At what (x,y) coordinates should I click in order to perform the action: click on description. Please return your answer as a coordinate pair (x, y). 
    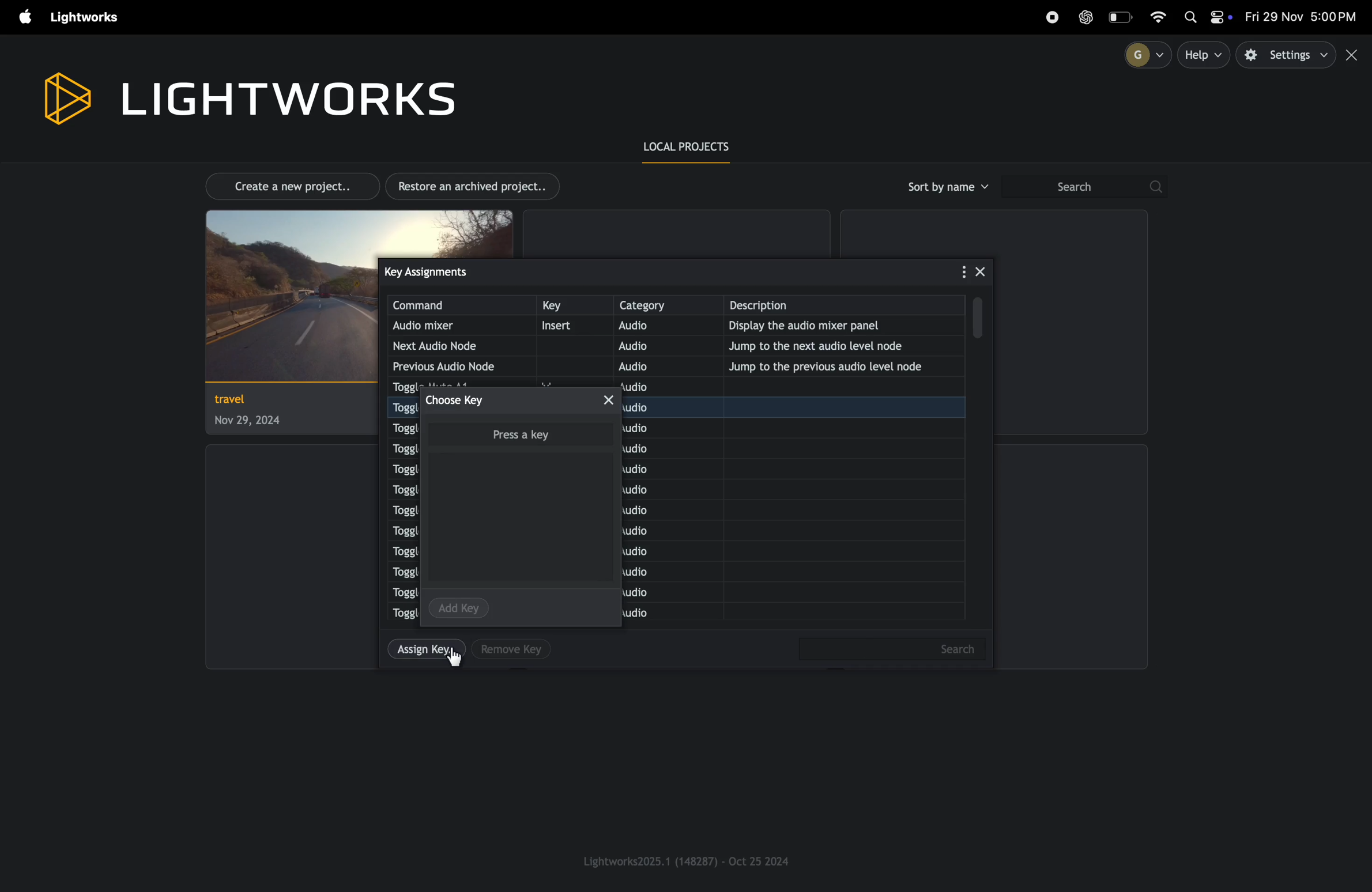
    Looking at the image, I should click on (1219, 103).